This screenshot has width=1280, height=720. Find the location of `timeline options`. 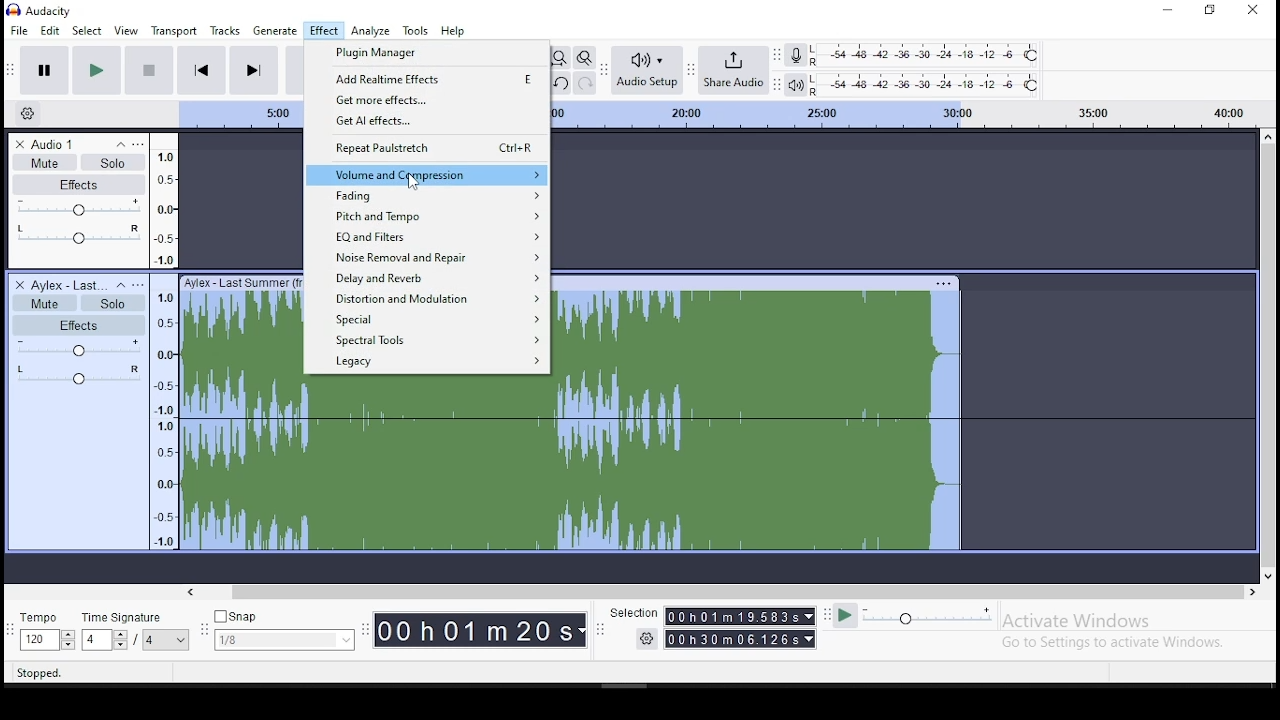

timeline options is located at coordinates (27, 114).